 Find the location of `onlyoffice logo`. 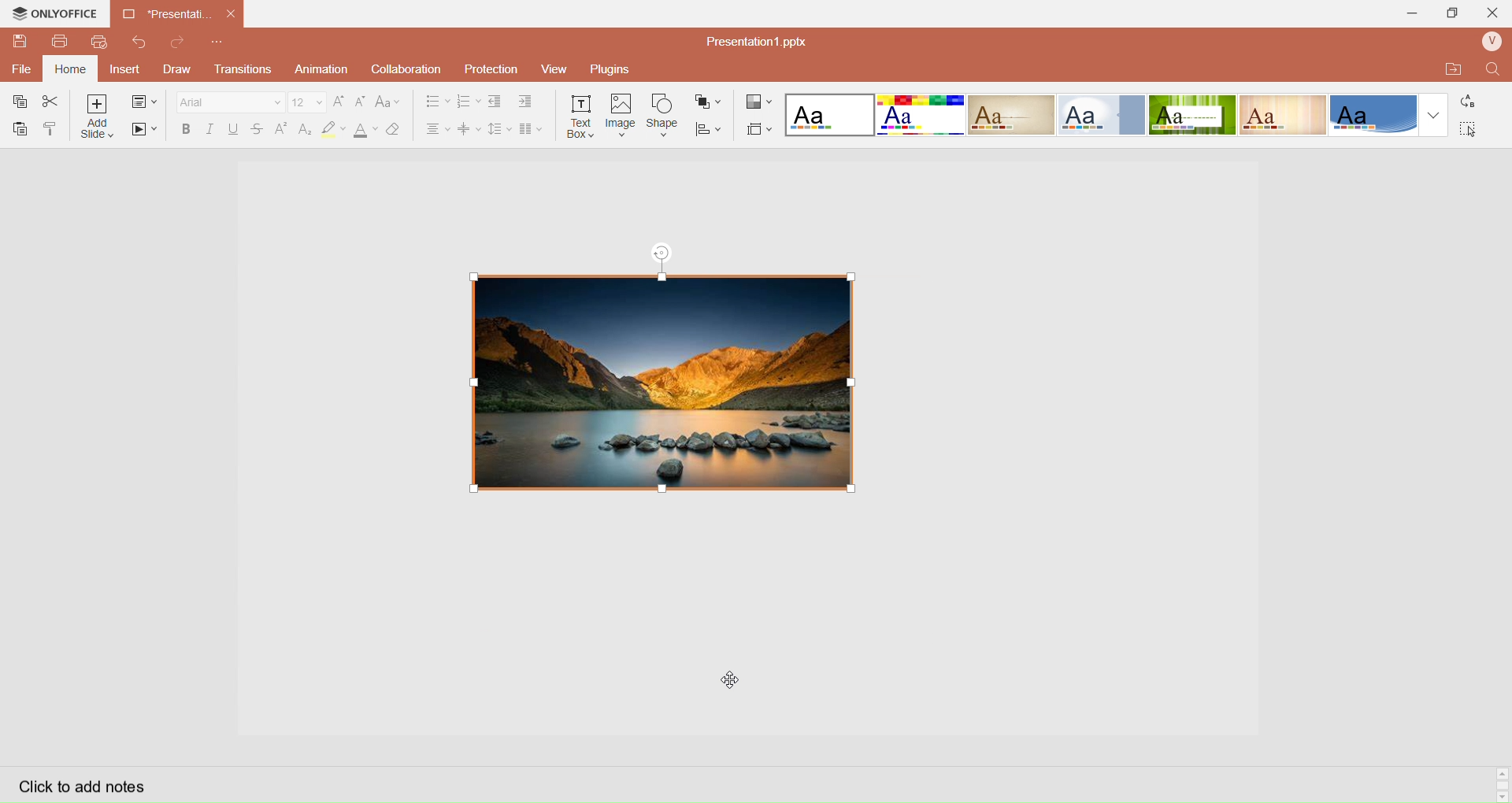

onlyoffice logo is located at coordinates (18, 16).